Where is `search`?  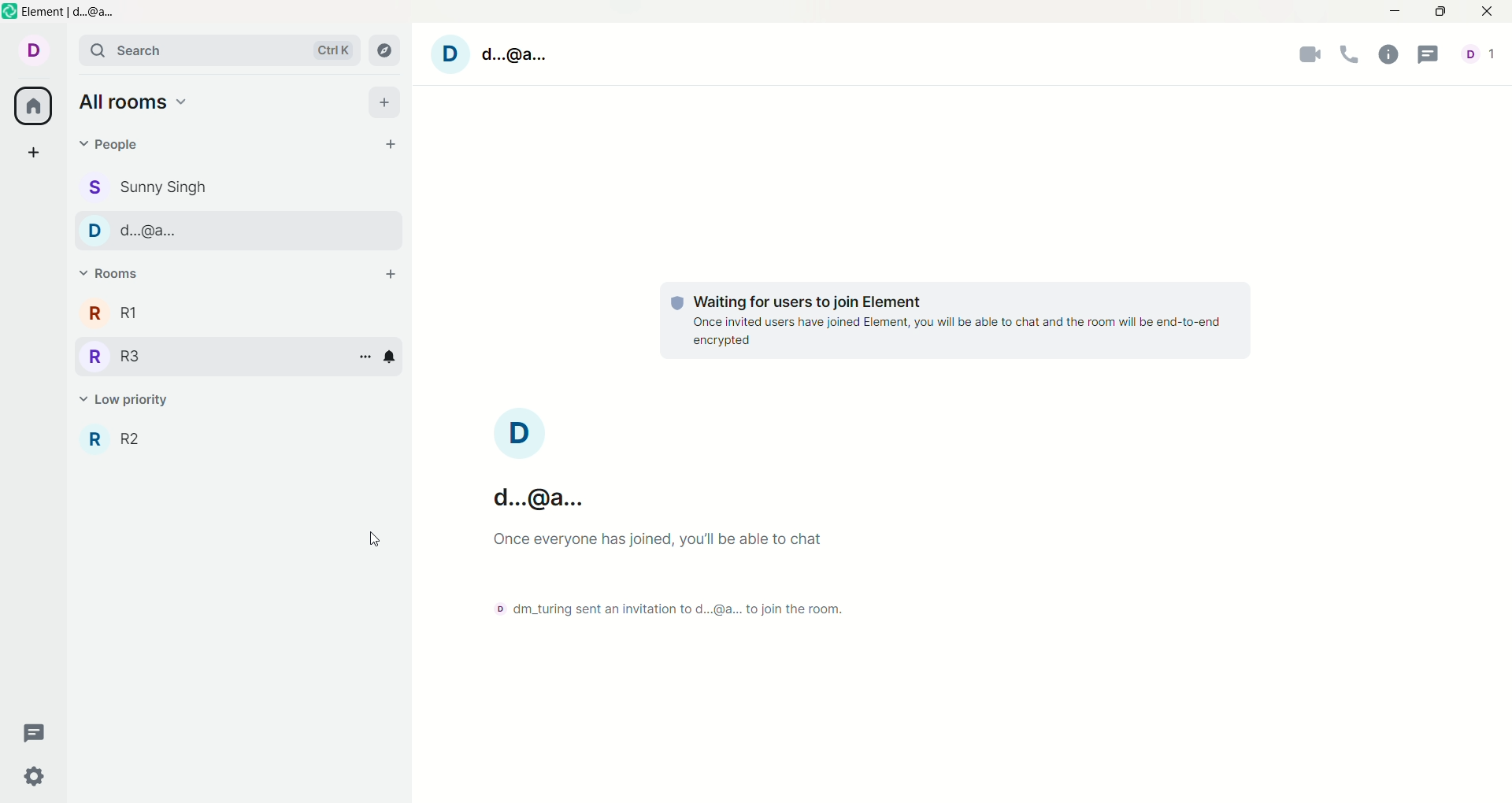
search is located at coordinates (212, 50).